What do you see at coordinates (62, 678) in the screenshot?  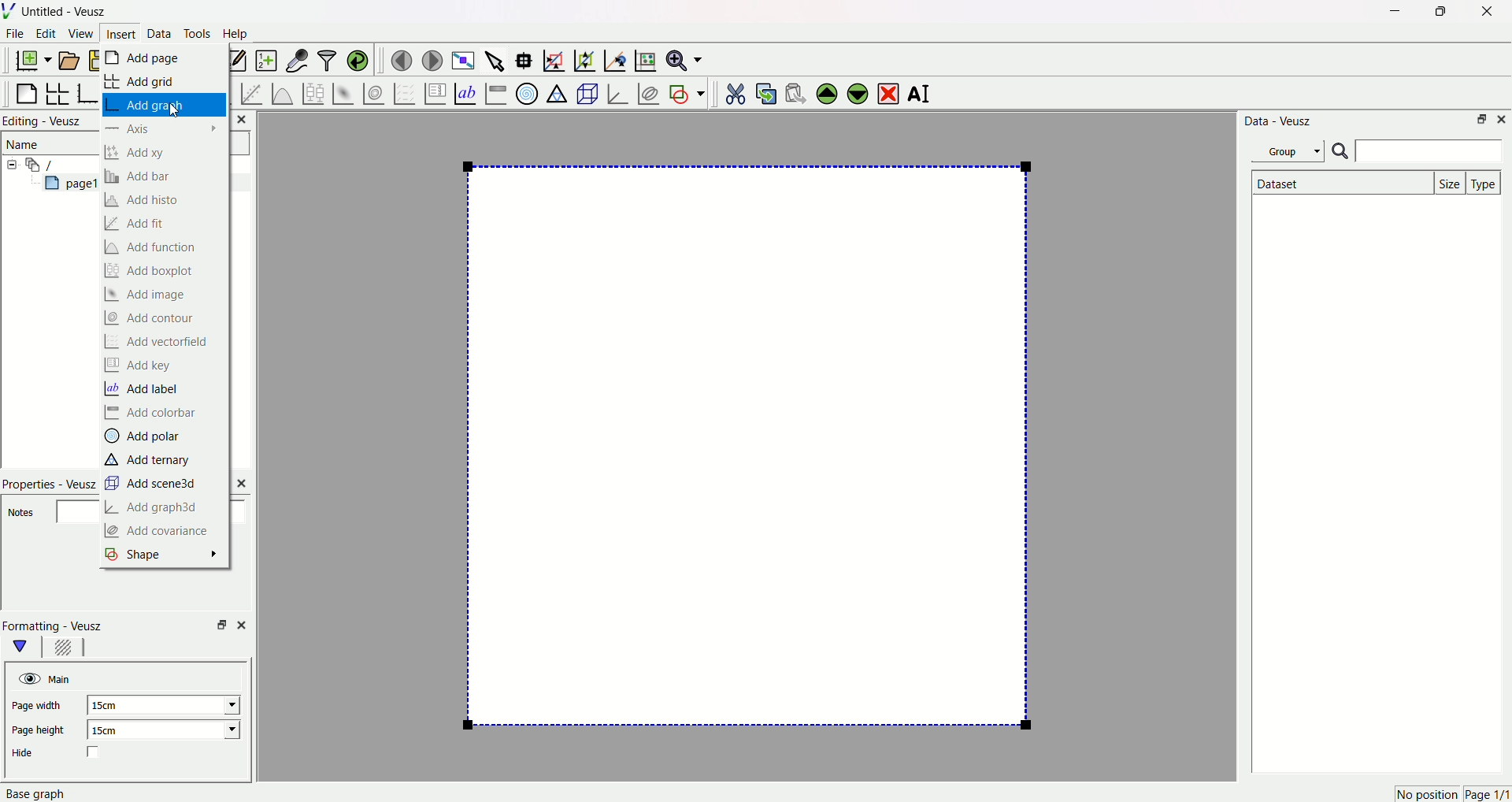 I see `Main` at bounding box center [62, 678].